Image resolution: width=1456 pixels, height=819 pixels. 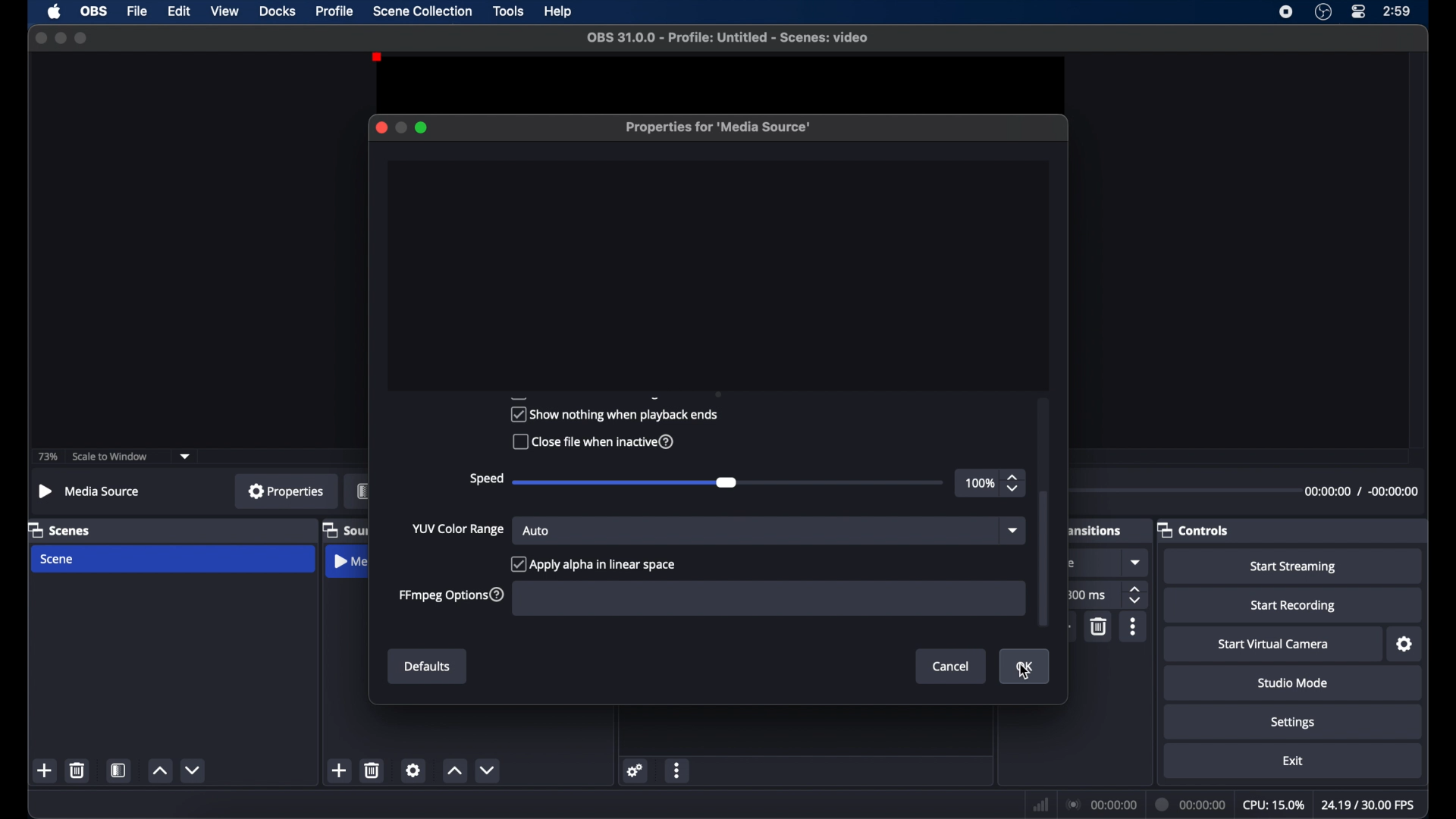 What do you see at coordinates (340, 770) in the screenshot?
I see `add` at bounding box center [340, 770].